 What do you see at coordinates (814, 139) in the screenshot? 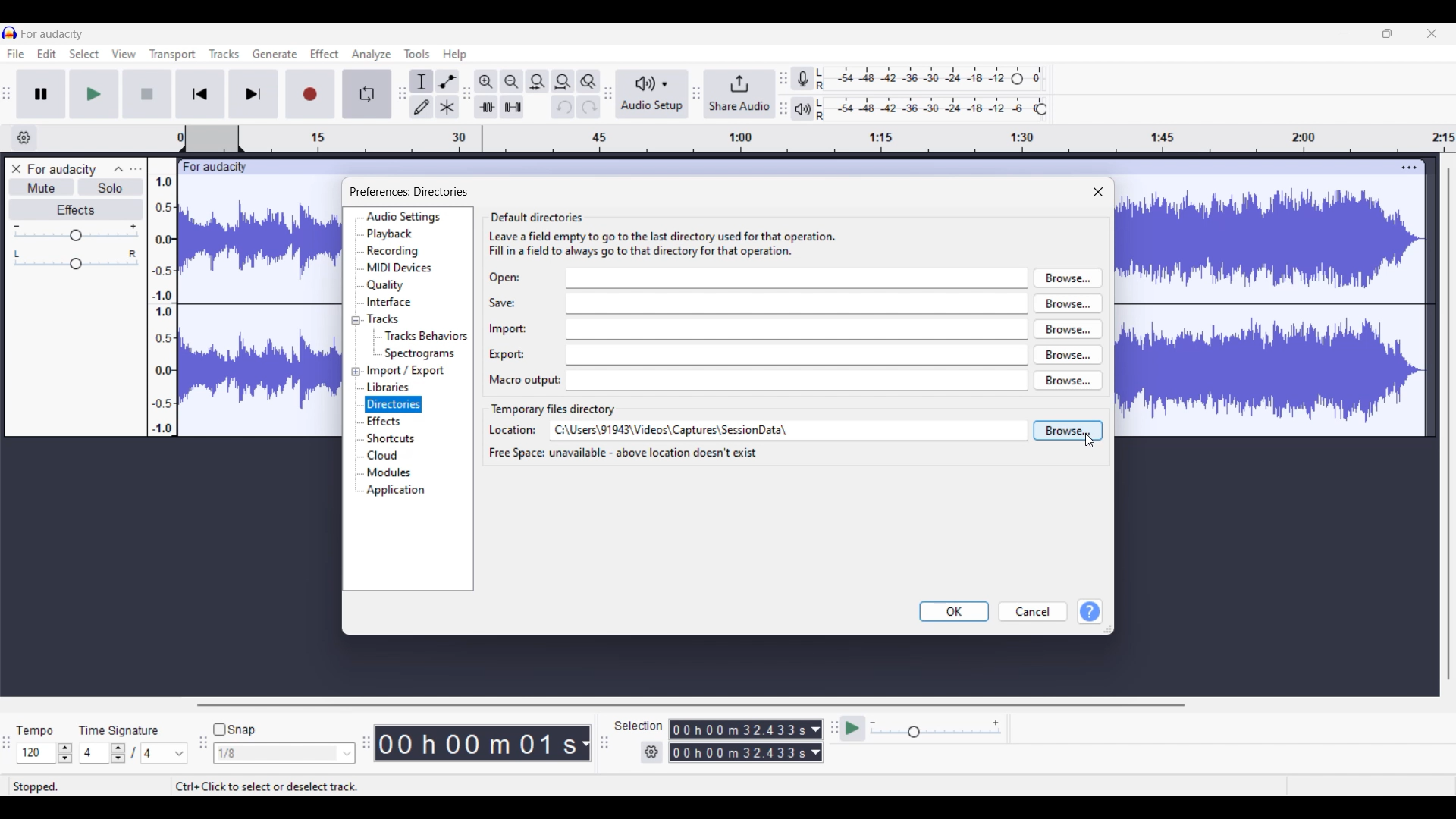
I see `timestamp` at bounding box center [814, 139].